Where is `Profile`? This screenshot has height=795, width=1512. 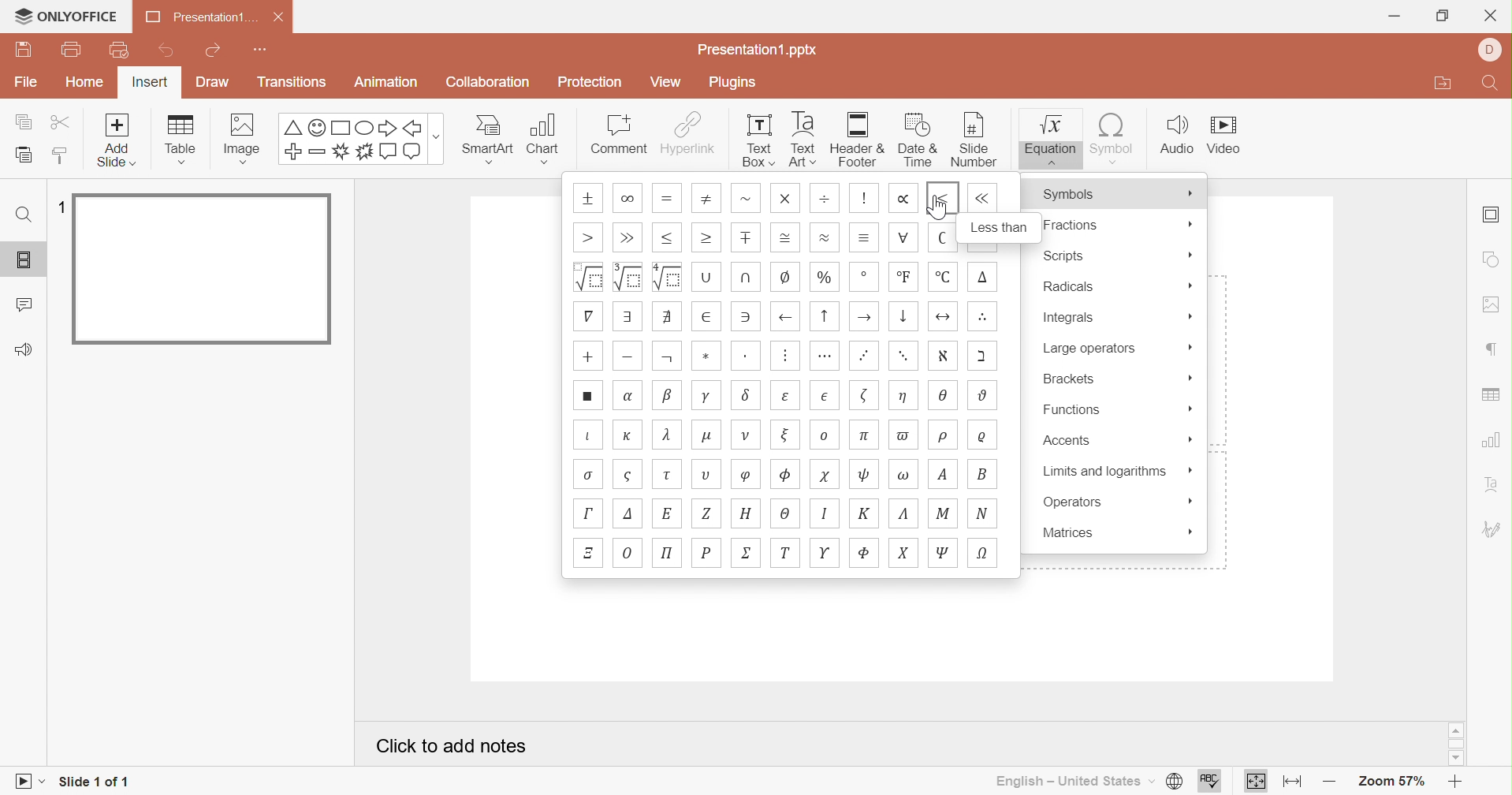 Profile is located at coordinates (1493, 50).